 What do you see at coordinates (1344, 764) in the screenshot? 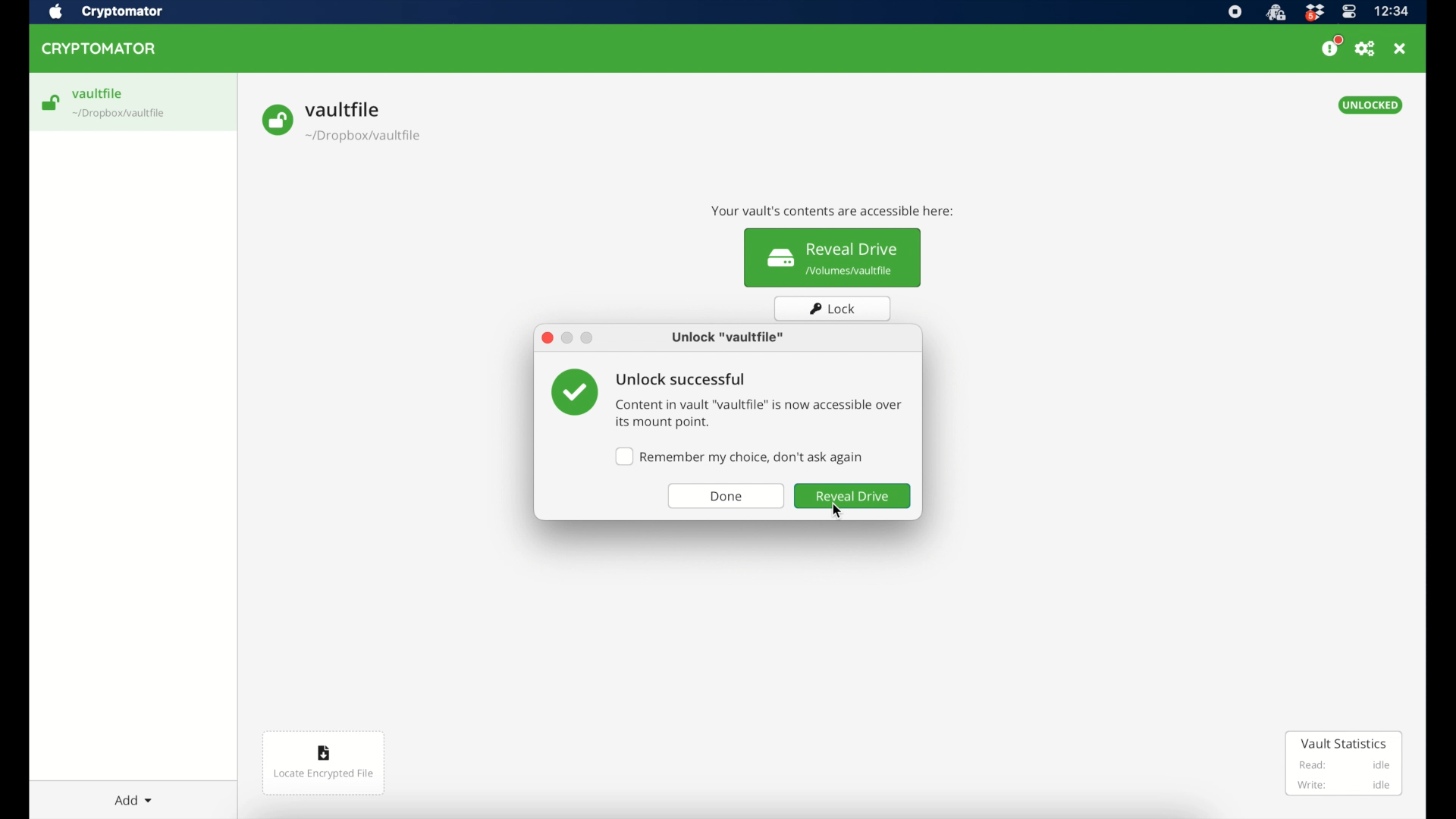
I see `vault statistics` at bounding box center [1344, 764].